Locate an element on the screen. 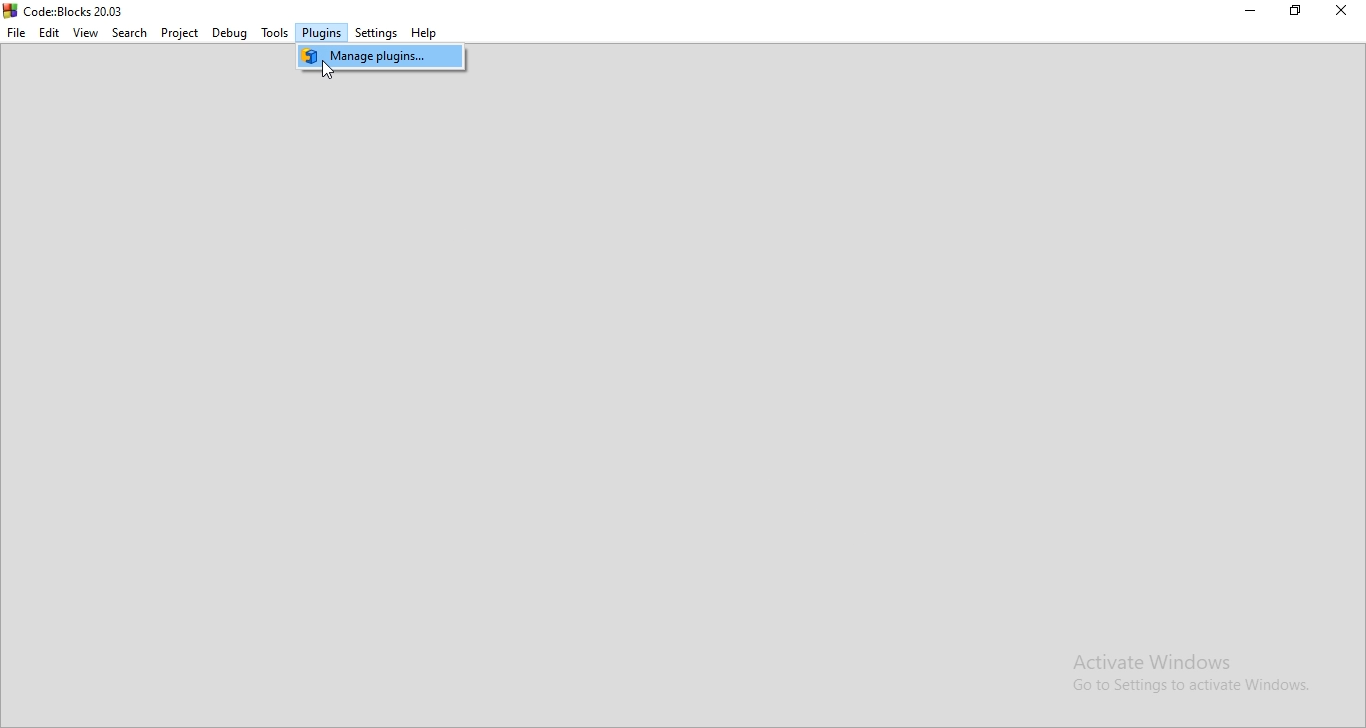 This screenshot has height=728, width=1366. Manage plugins... is located at coordinates (381, 57).